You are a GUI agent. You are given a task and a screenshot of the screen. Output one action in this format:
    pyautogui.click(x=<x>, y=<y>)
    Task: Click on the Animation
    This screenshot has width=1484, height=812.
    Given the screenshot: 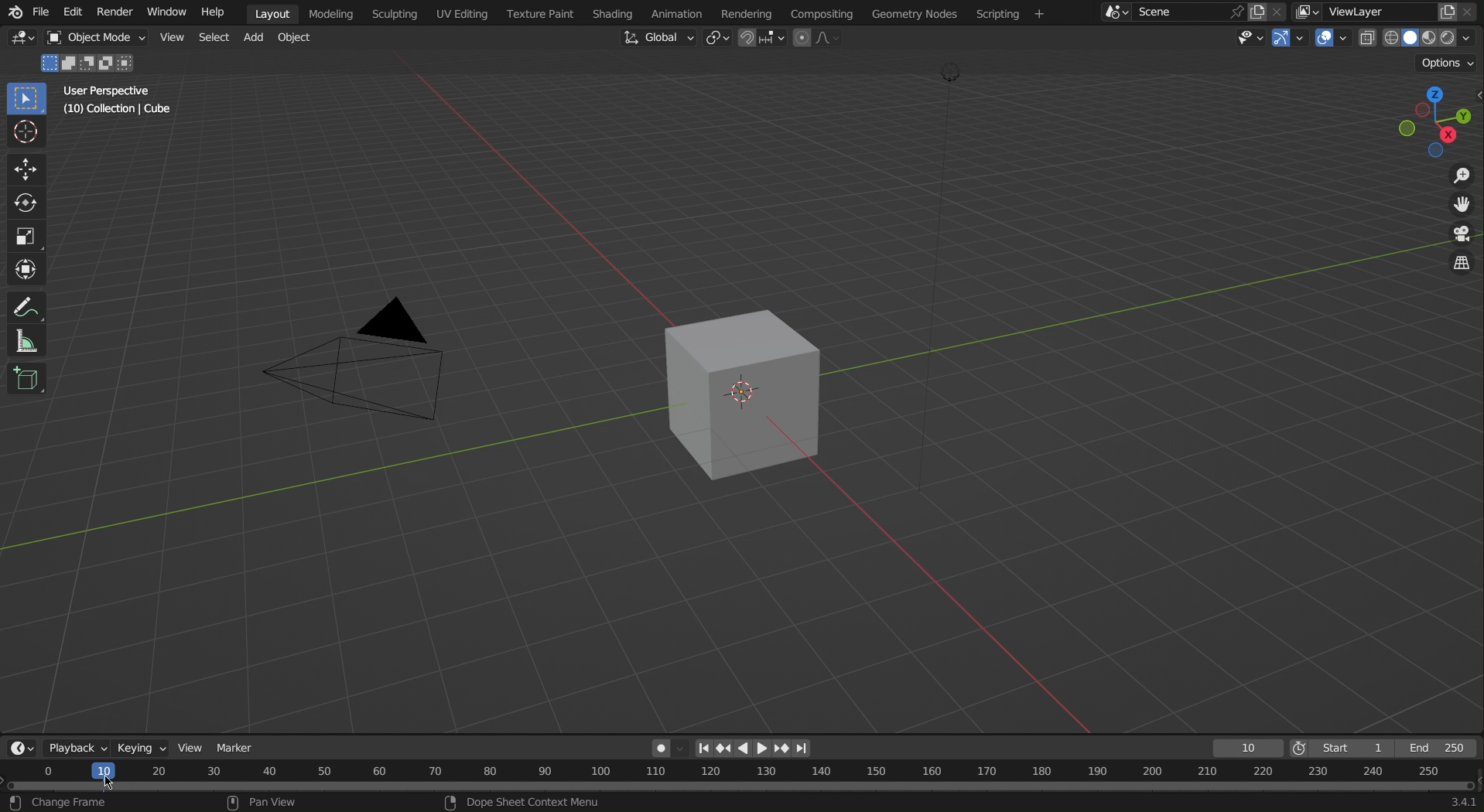 What is the action you would take?
    pyautogui.click(x=675, y=11)
    